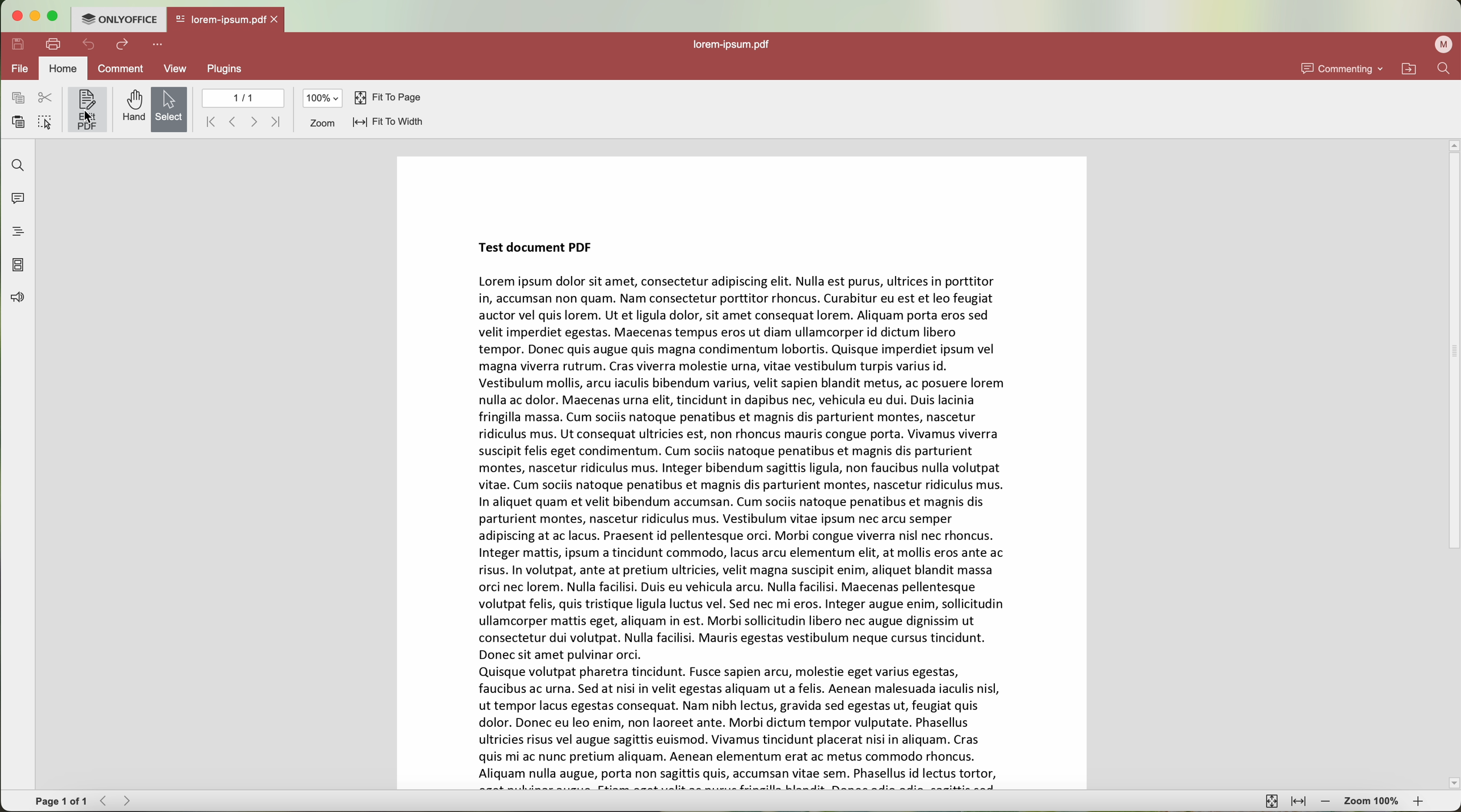 The width and height of the screenshot is (1461, 812). Describe the element at coordinates (37, 17) in the screenshot. I see `minimize program` at that location.